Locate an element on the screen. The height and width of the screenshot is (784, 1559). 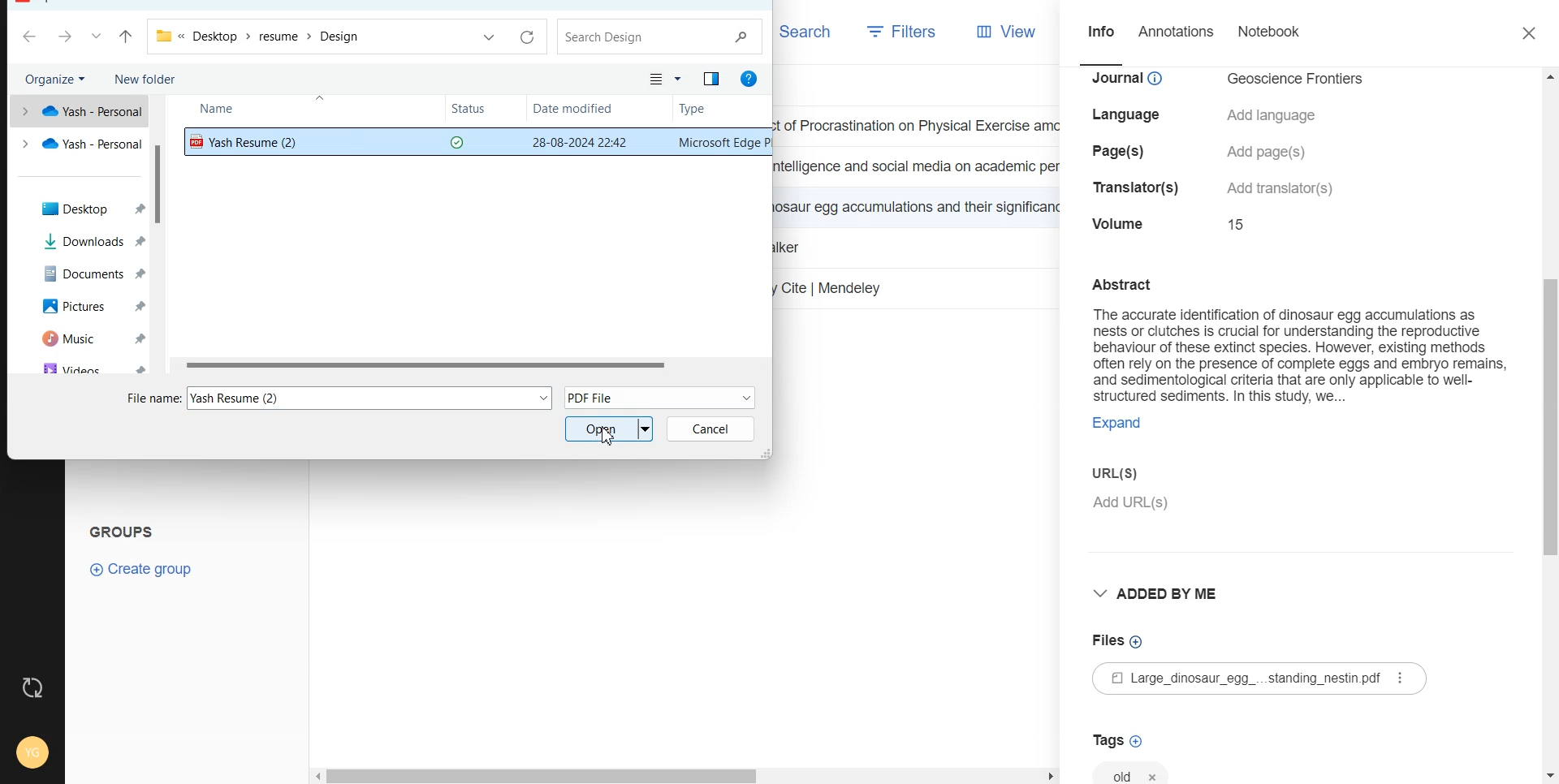
selected File is located at coordinates (473, 142).